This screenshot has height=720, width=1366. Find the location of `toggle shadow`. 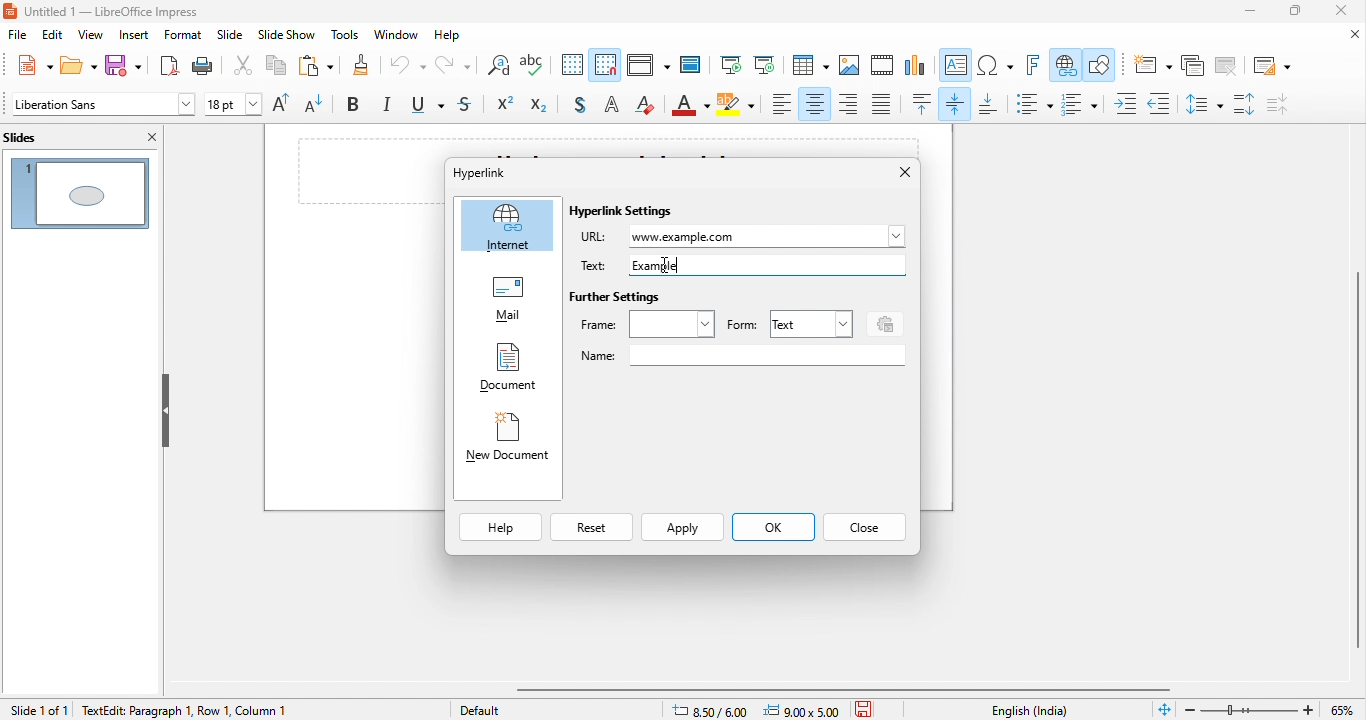

toggle shadow is located at coordinates (578, 106).